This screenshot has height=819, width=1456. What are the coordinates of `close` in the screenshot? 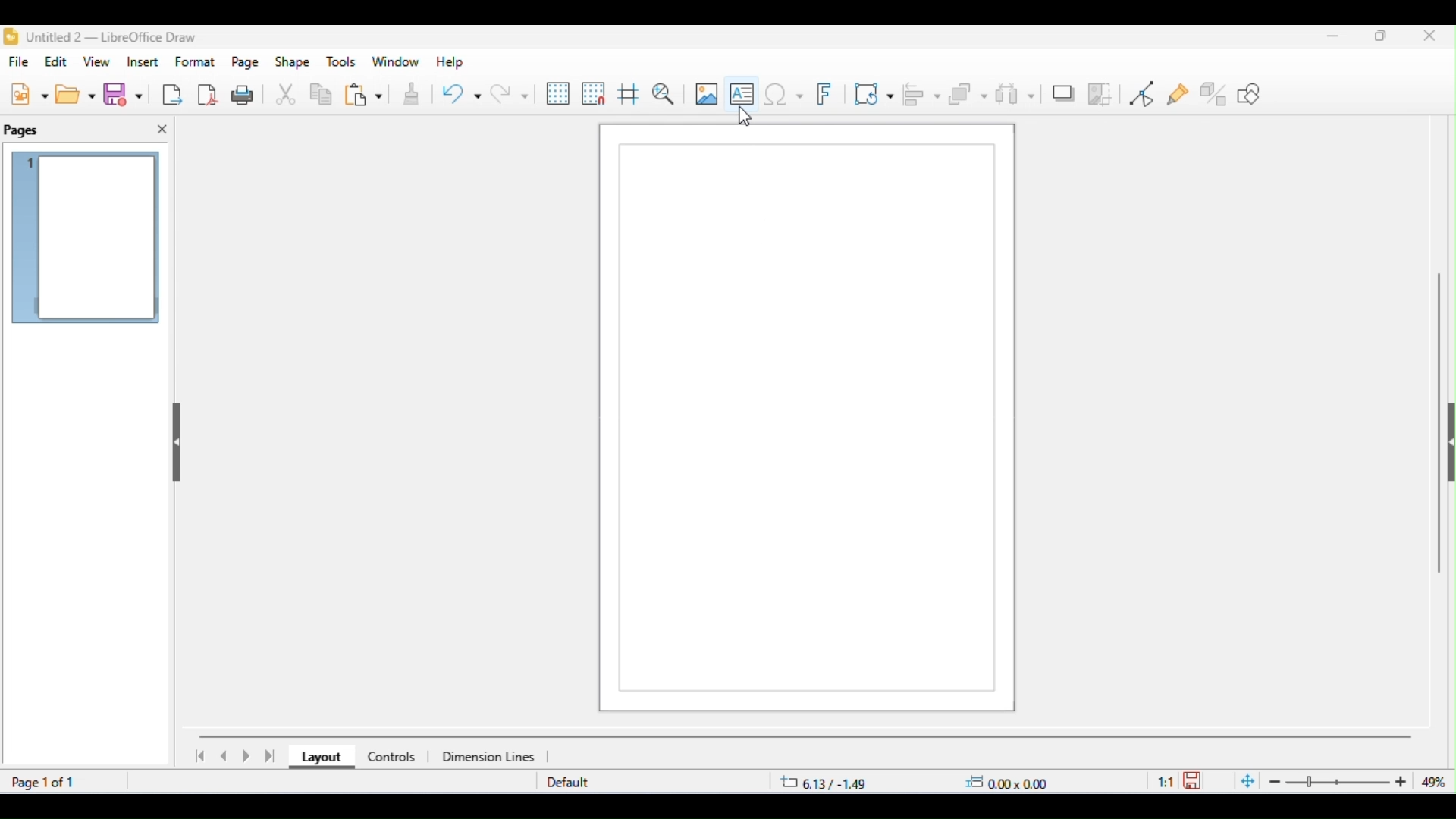 It's located at (1429, 37).